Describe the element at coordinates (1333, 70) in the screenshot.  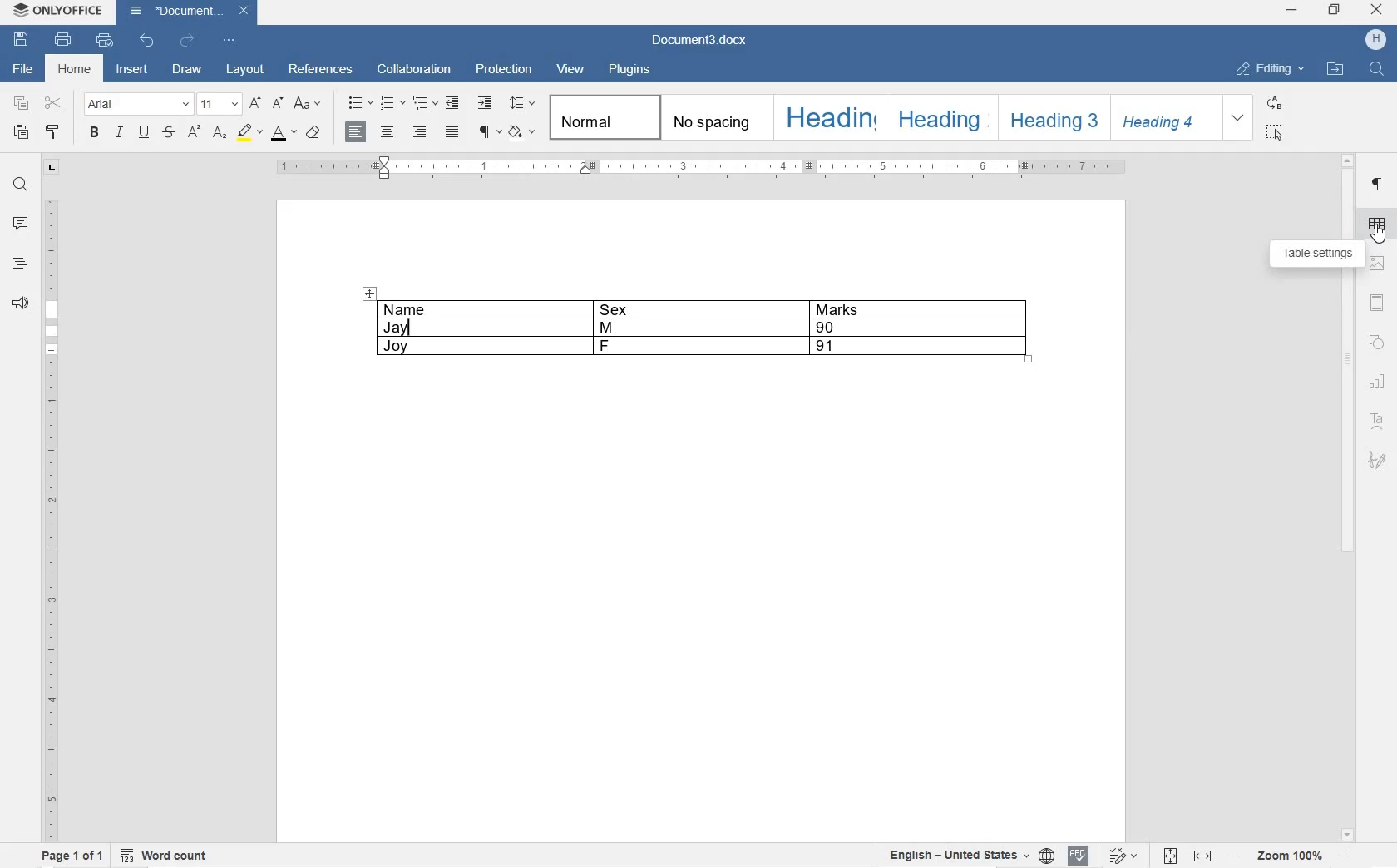
I see `OPEN FILE LOCATION` at that location.